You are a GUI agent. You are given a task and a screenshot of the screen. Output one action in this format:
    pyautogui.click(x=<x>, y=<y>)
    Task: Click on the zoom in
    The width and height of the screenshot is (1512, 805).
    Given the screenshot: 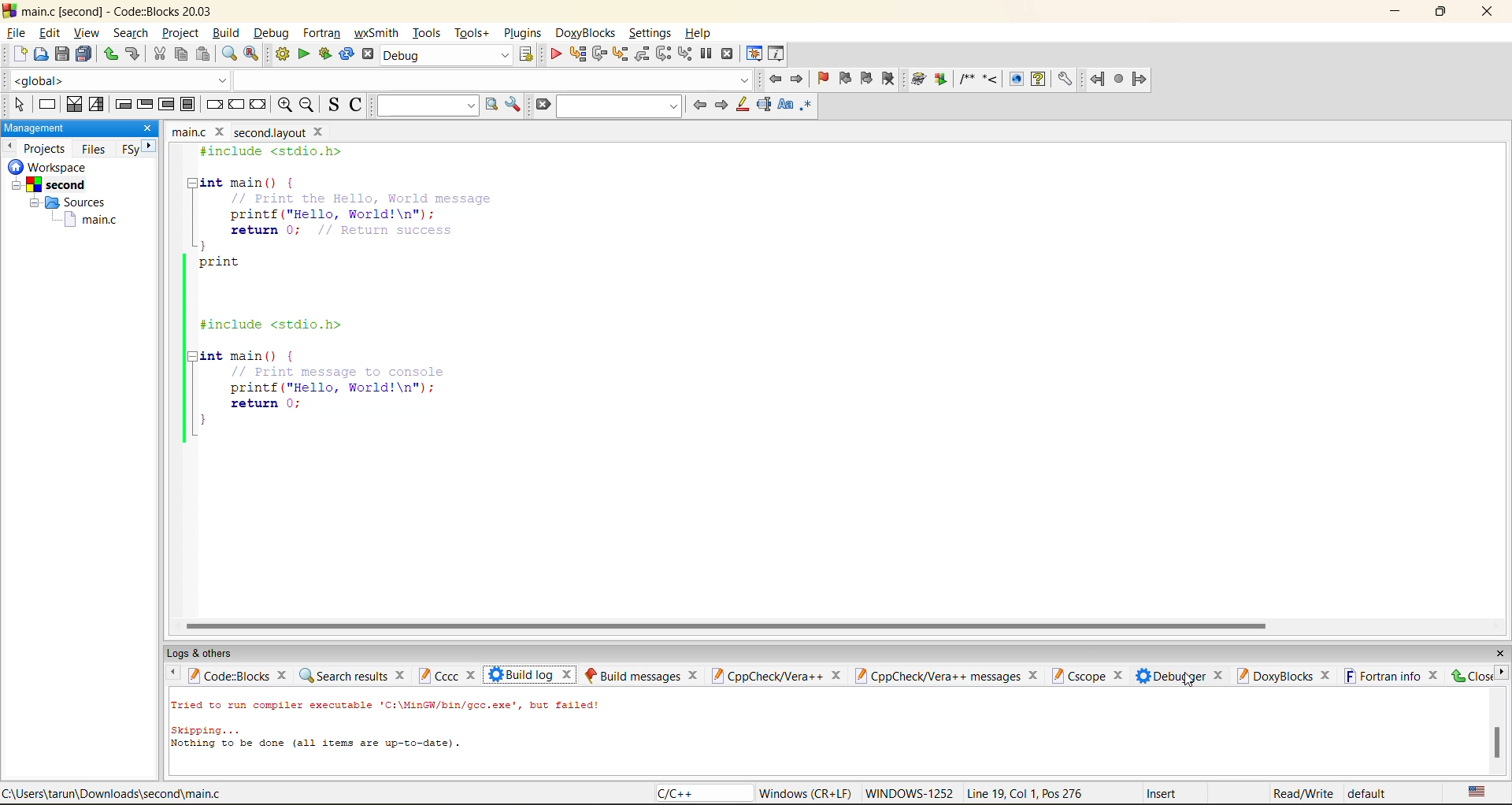 What is the action you would take?
    pyautogui.click(x=287, y=105)
    